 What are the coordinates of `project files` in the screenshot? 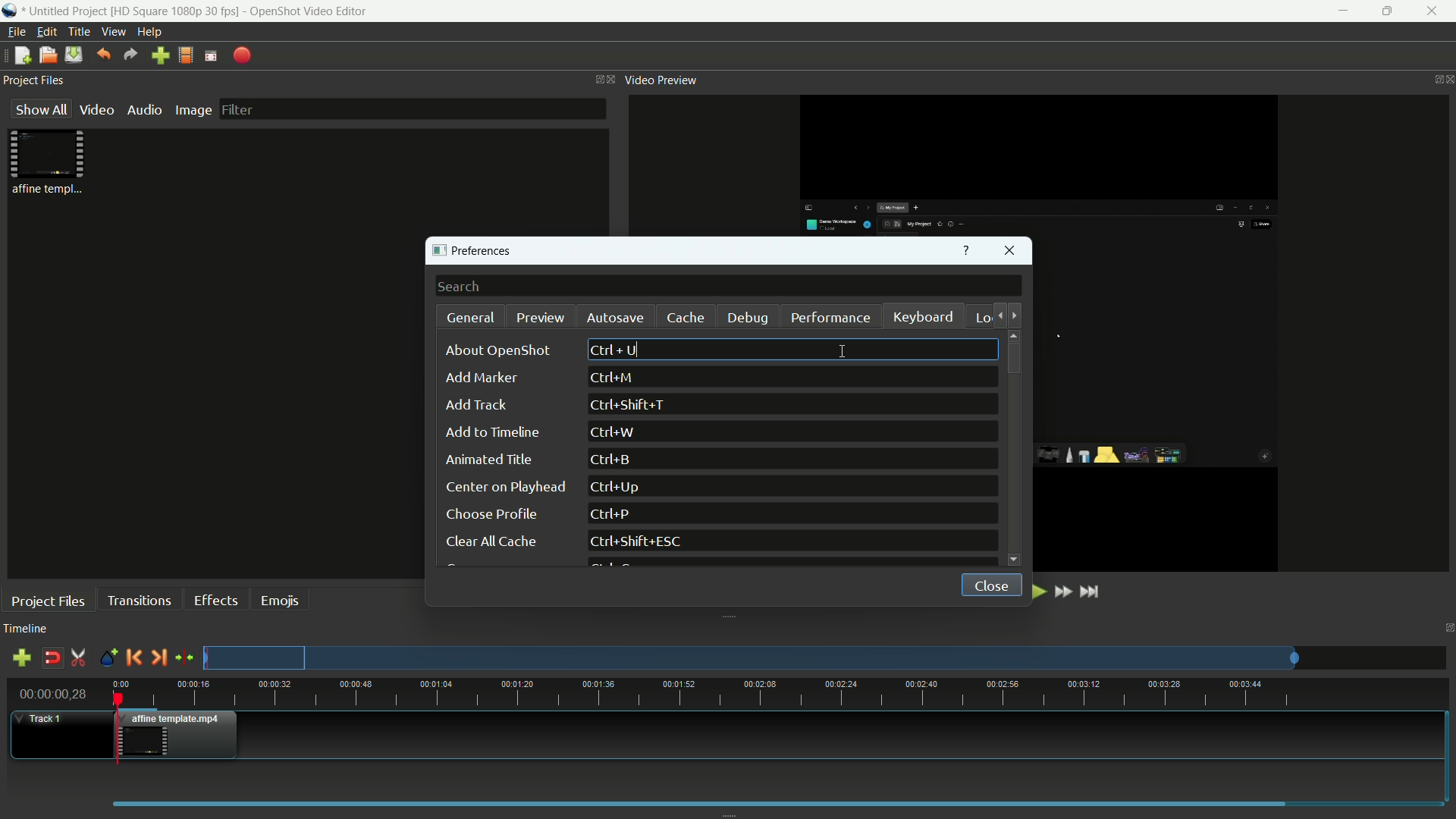 It's located at (36, 81).